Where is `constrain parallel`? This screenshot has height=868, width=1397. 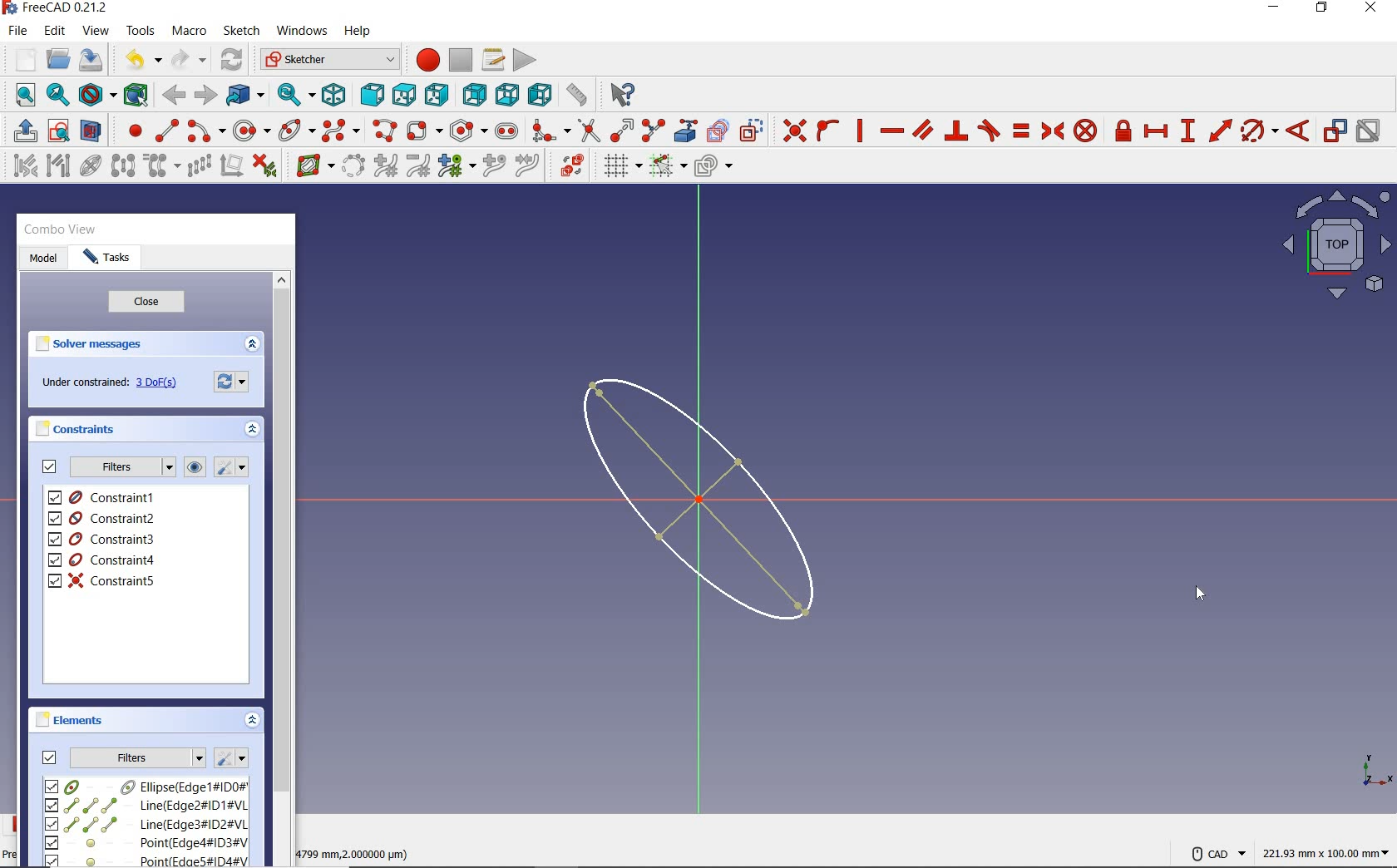 constrain parallel is located at coordinates (921, 129).